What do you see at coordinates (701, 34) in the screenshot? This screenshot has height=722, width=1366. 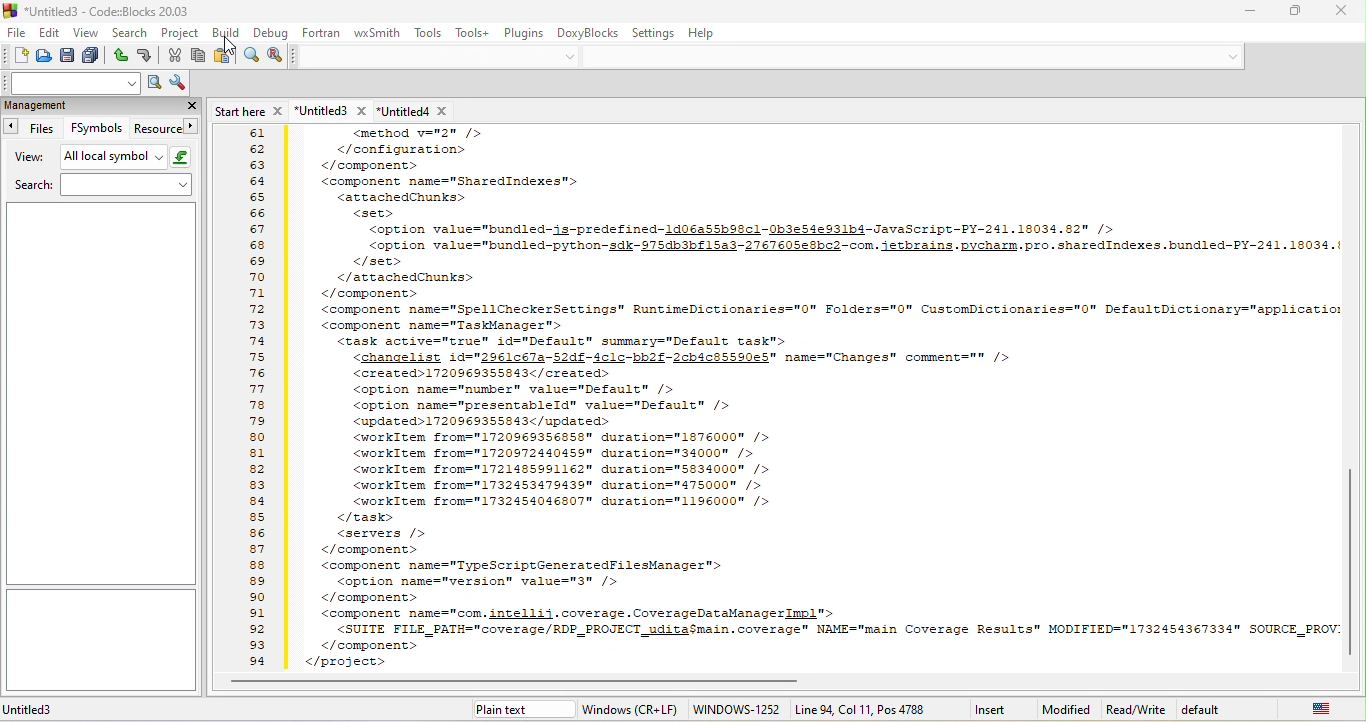 I see `help` at bounding box center [701, 34].